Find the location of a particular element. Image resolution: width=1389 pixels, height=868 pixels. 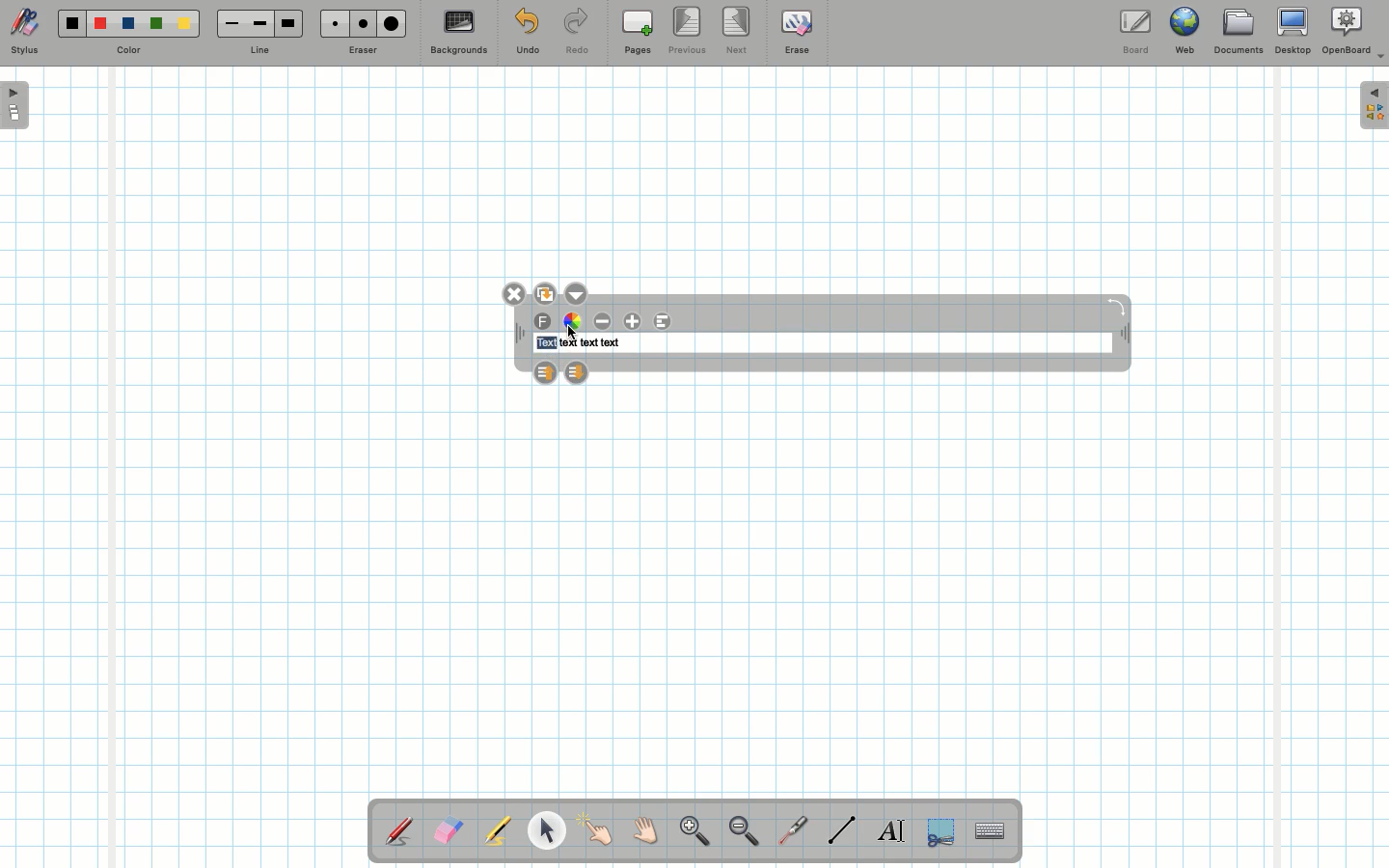

Layer down is located at coordinates (576, 370).